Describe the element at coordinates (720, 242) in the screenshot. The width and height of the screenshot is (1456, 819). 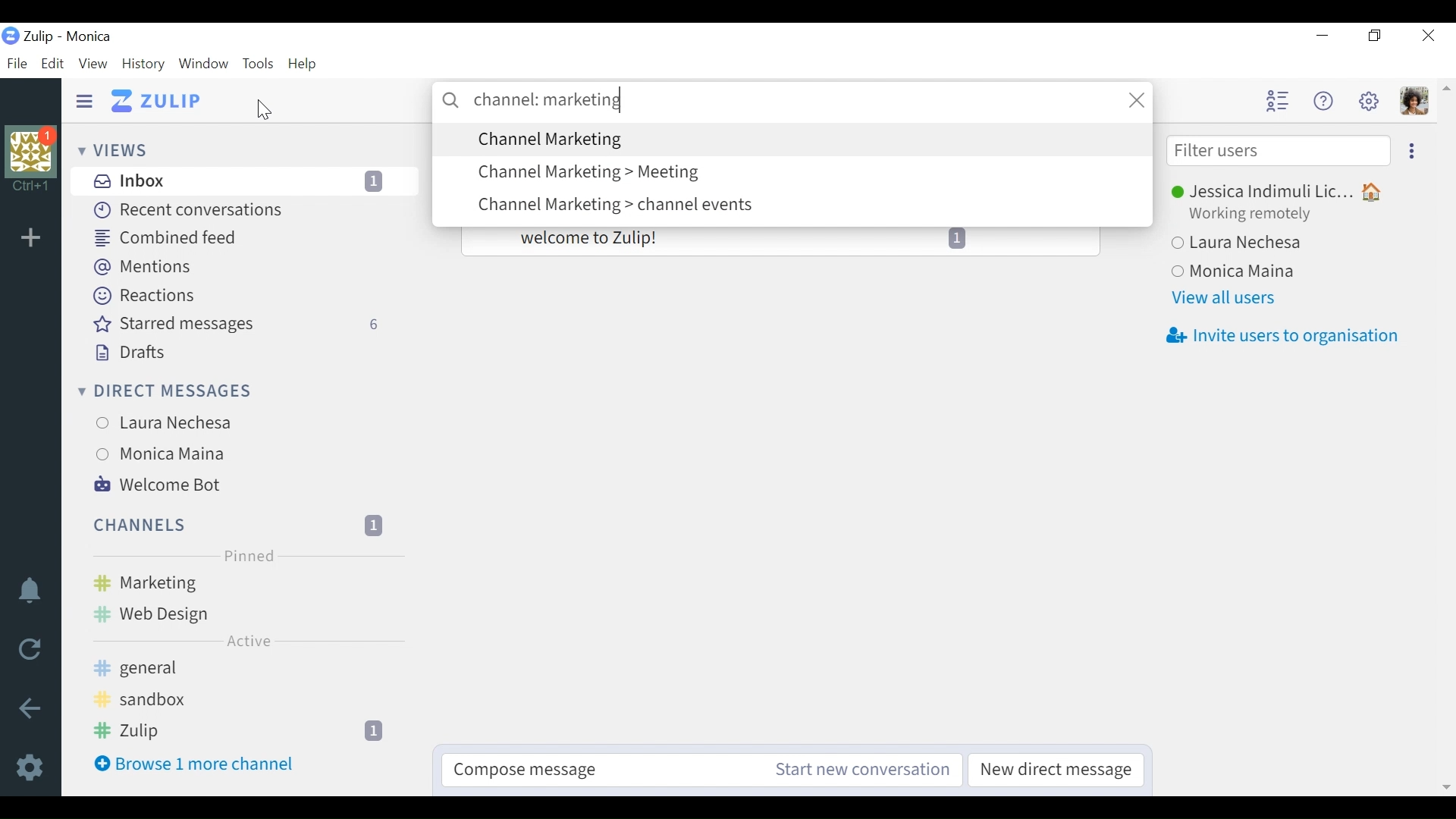
I see `welcome to Zulip!` at that location.